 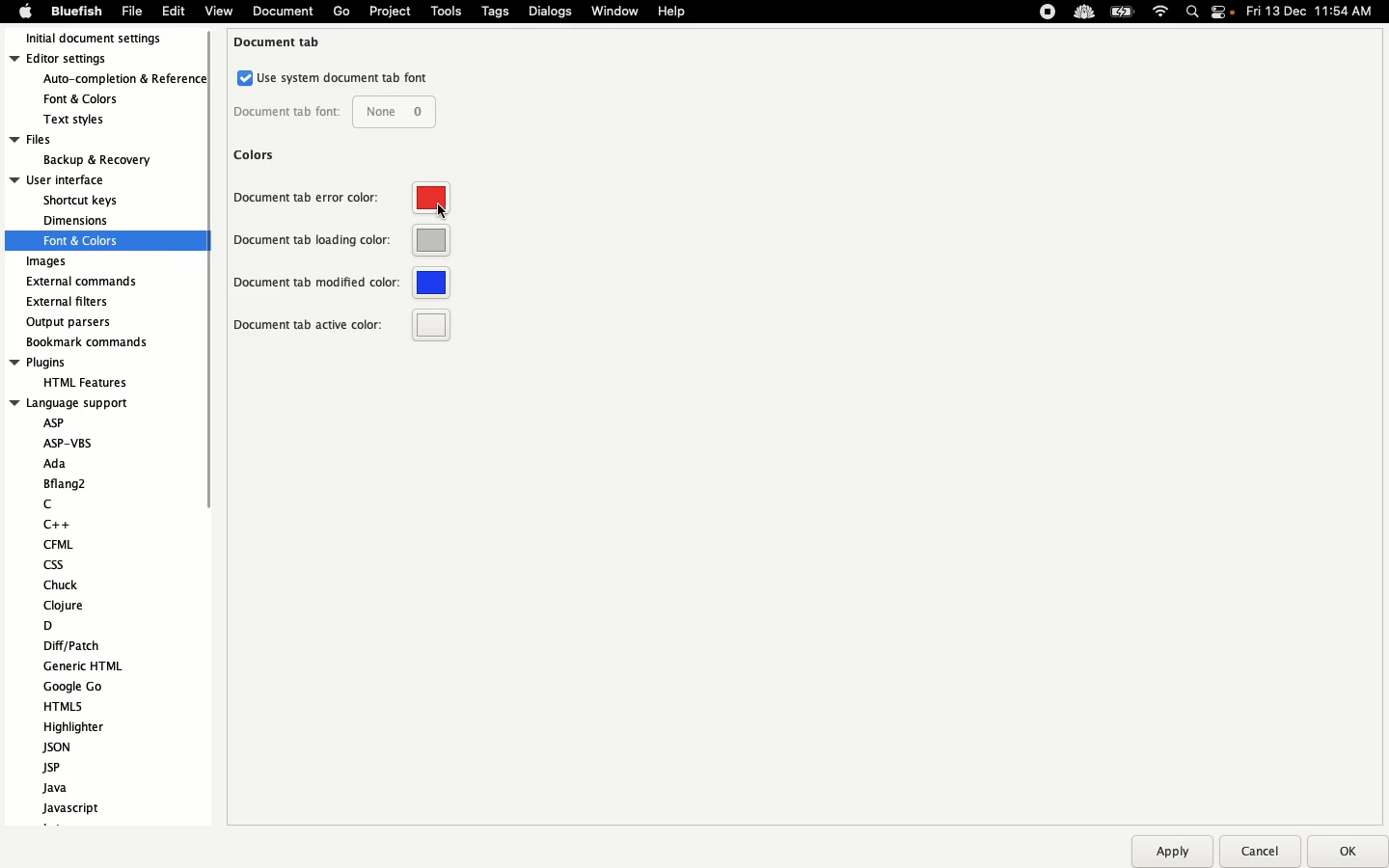 What do you see at coordinates (672, 11) in the screenshot?
I see `Help` at bounding box center [672, 11].